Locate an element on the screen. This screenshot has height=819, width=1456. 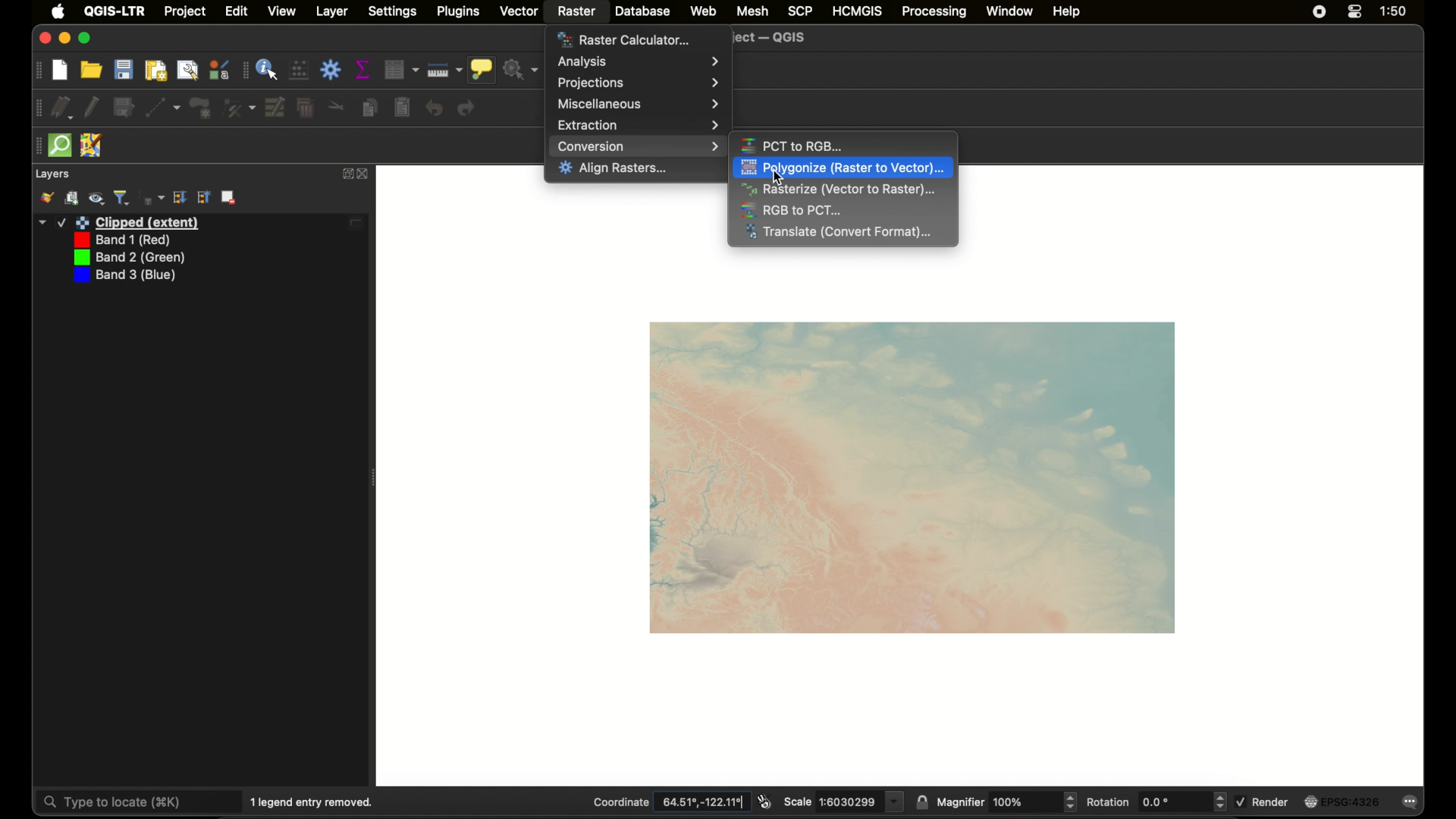
toolbox is located at coordinates (330, 70).